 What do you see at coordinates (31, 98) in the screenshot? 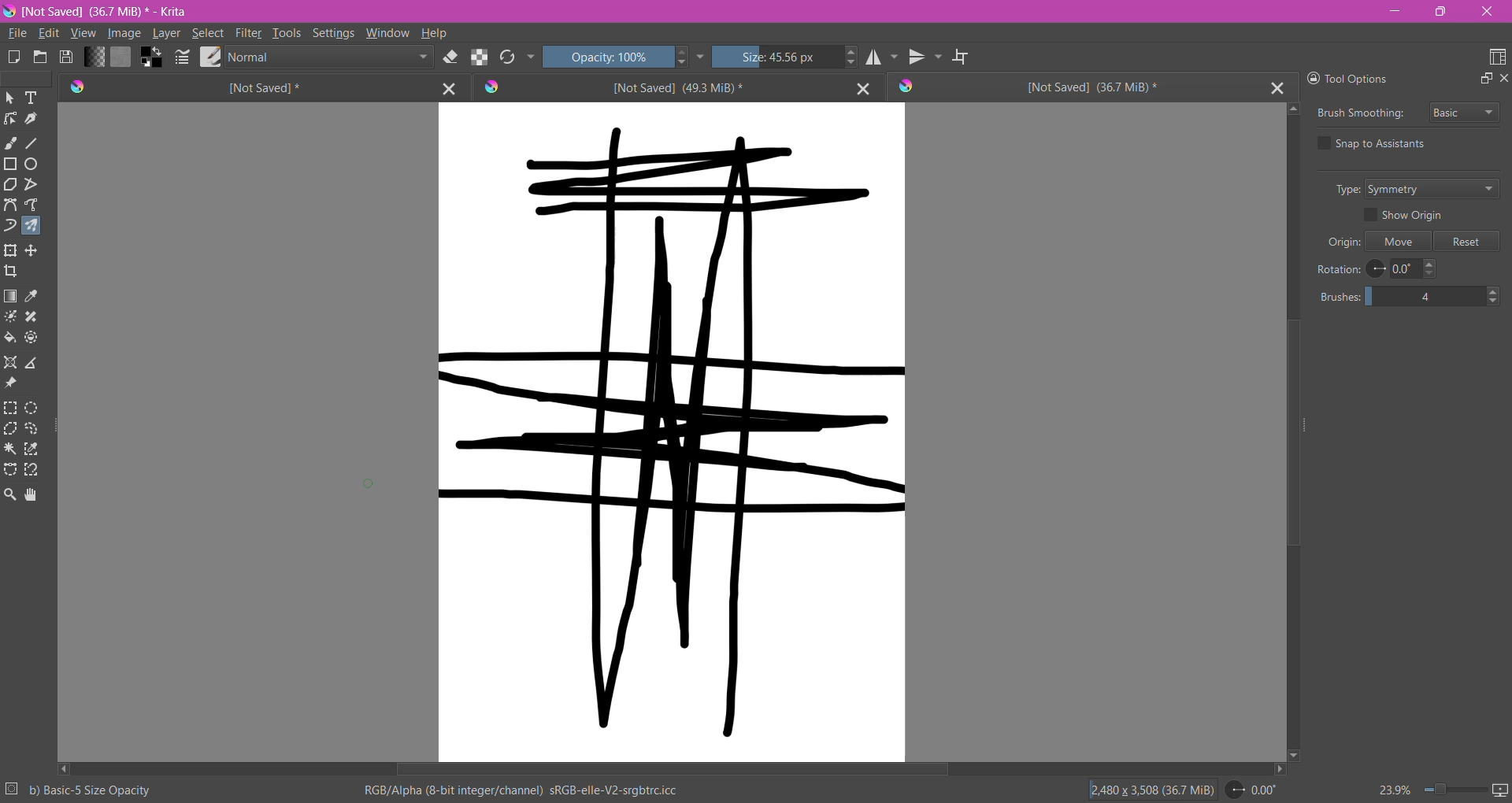
I see `Text Tool` at bounding box center [31, 98].